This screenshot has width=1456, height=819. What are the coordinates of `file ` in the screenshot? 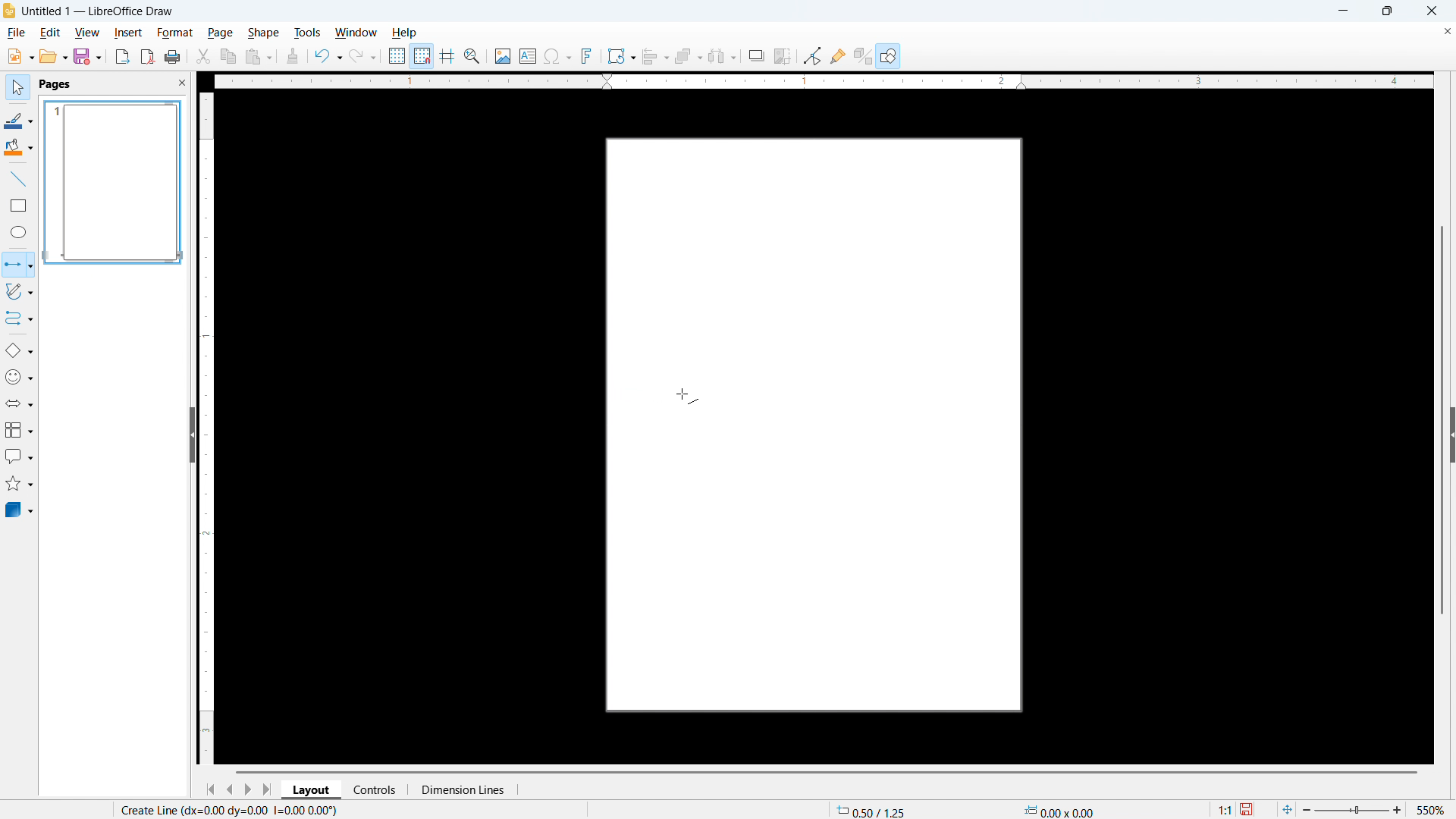 It's located at (16, 33).